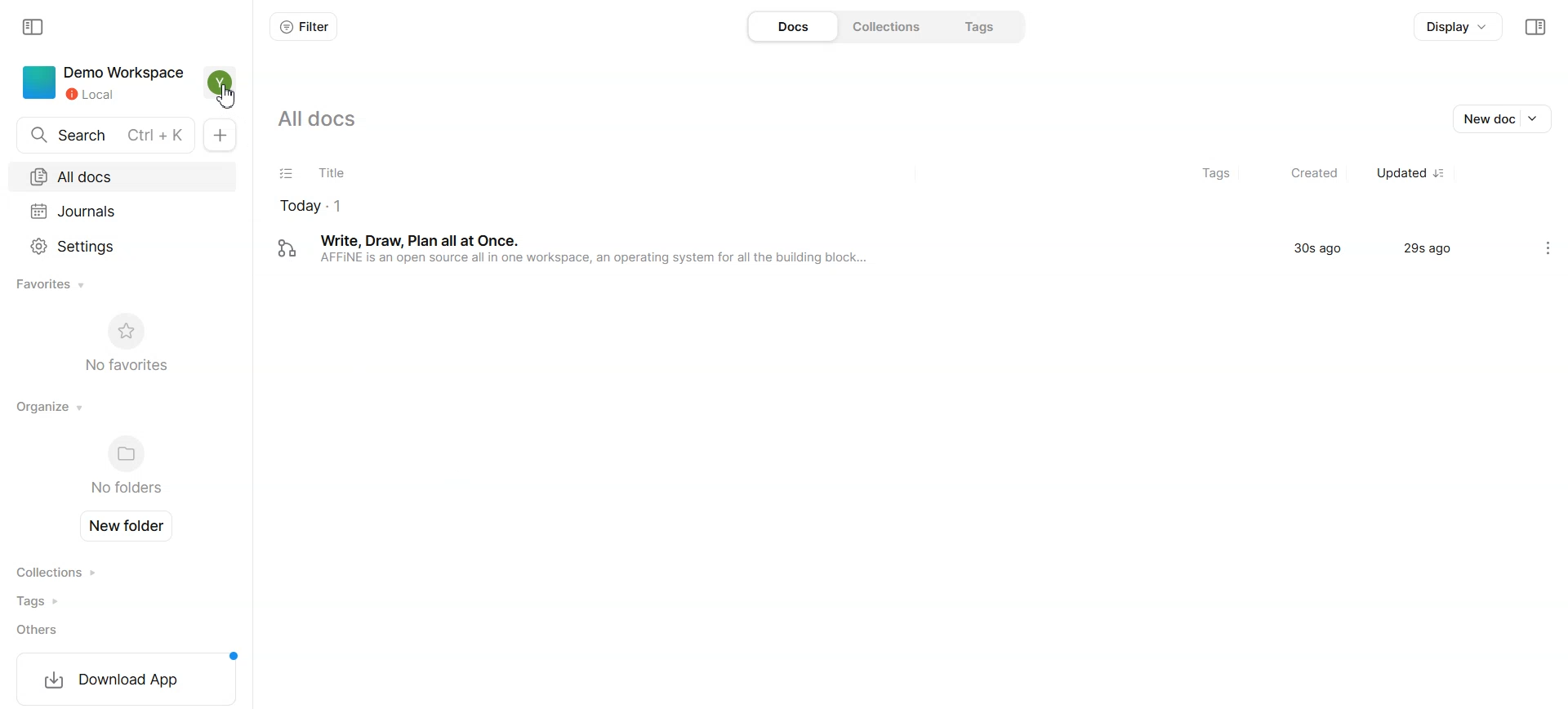  What do you see at coordinates (1407, 173) in the screenshot?
I see `Updated` at bounding box center [1407, 173].